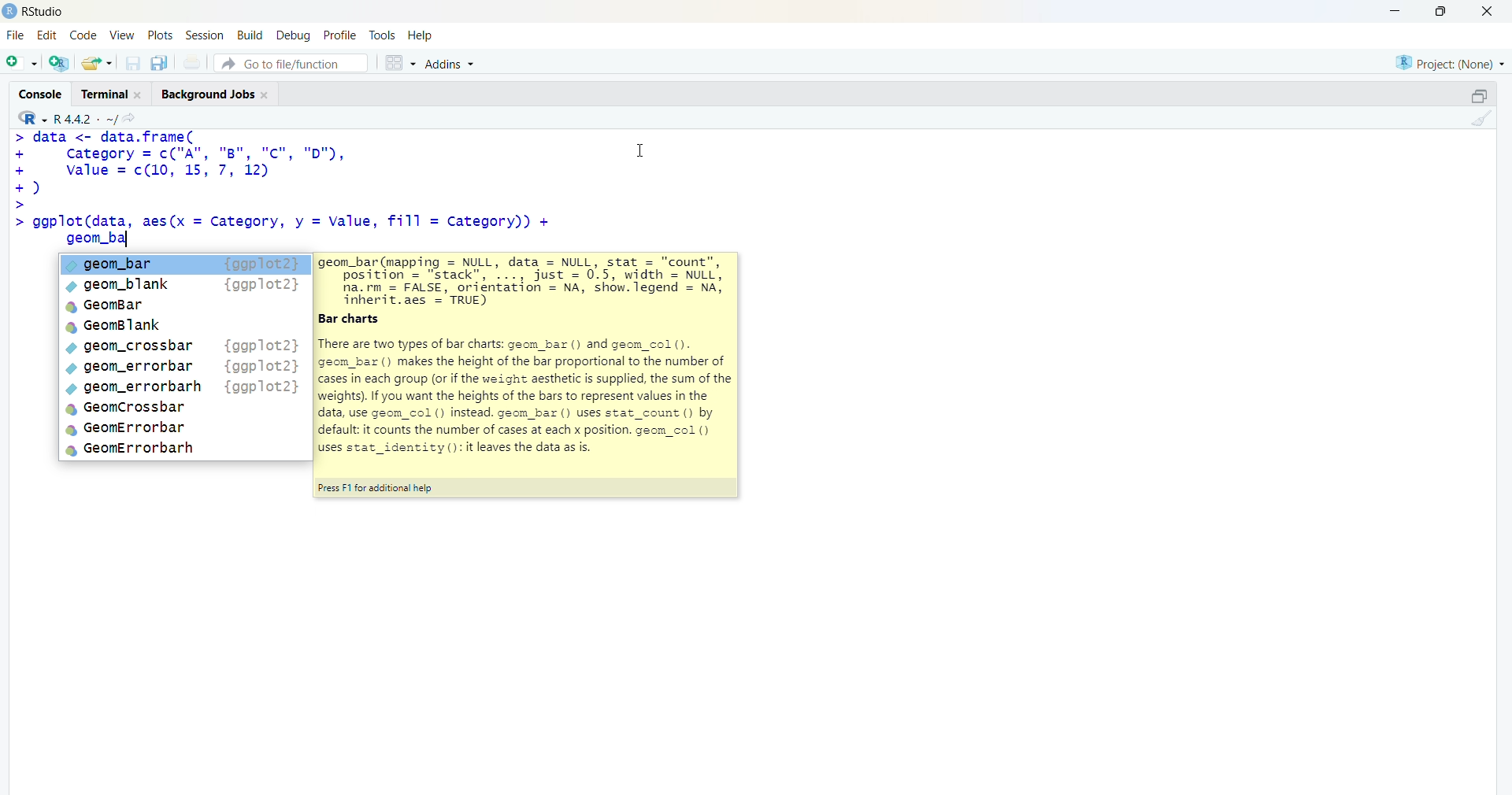 The height and width of the screenshot is (795, 1512). Describe the element at coordinates (162, 35) in the screenshot. I see `plots` at that location.